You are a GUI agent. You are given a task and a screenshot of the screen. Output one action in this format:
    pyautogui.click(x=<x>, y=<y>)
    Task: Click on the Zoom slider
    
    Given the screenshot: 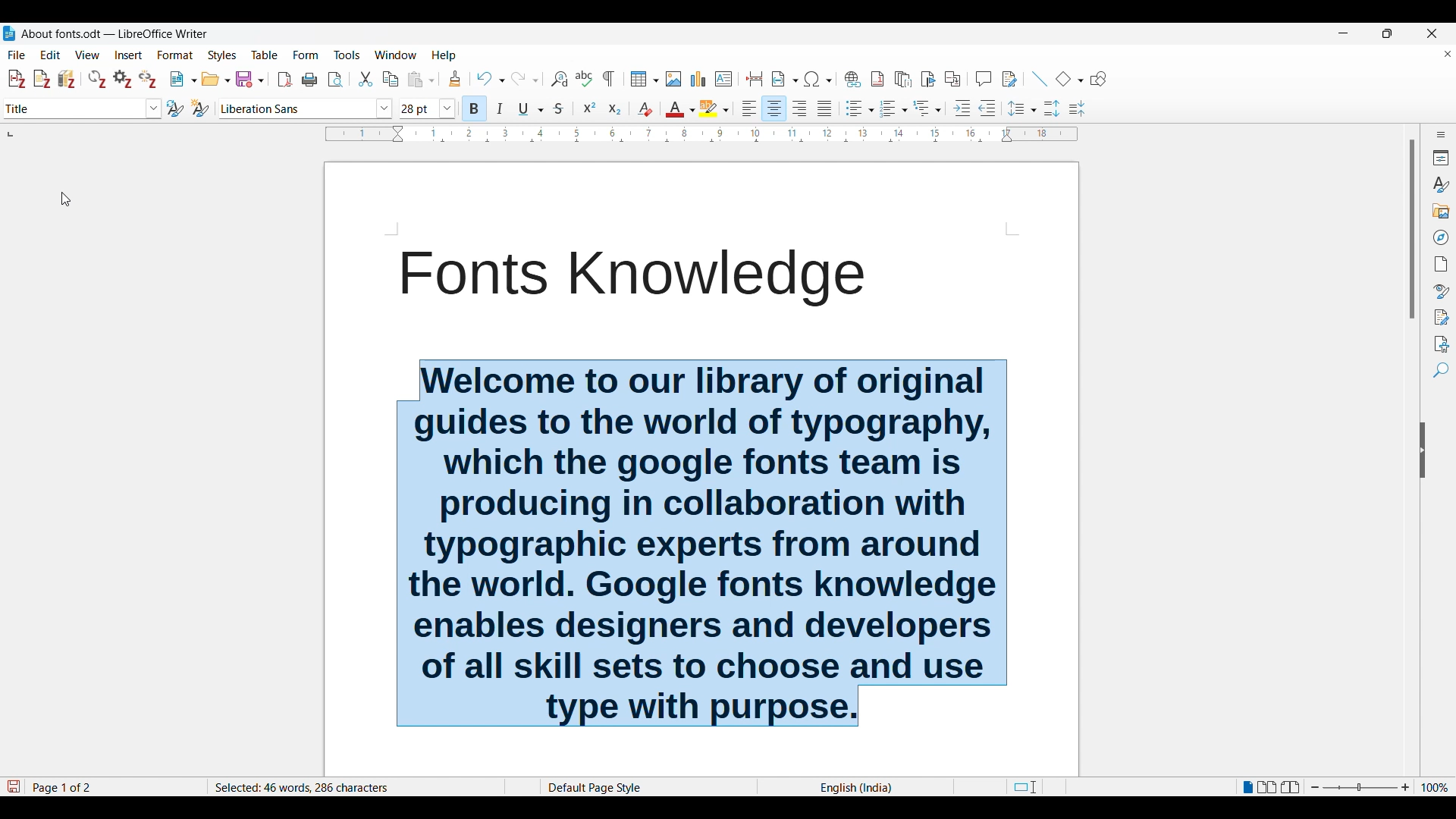 What is the action you would take?
    pyautogui.click(x=1360, y=784)
    